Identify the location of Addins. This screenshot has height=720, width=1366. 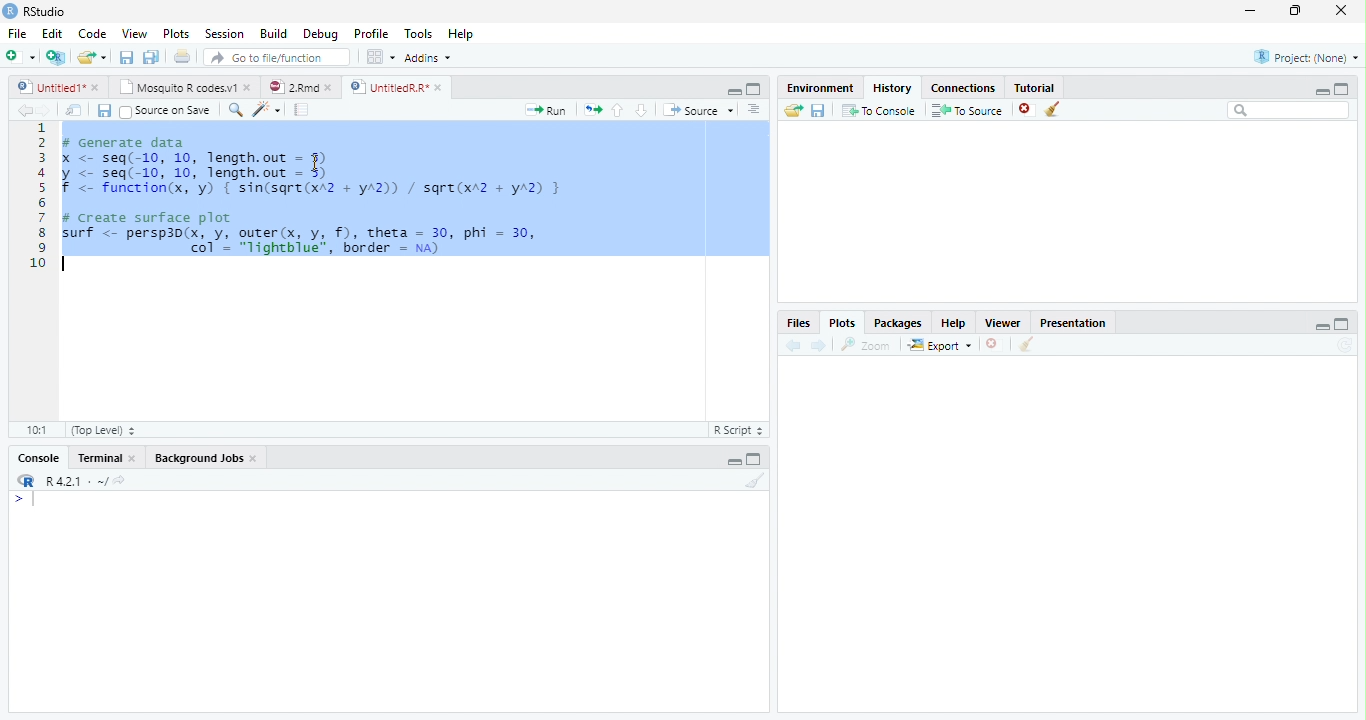
(428, 58).